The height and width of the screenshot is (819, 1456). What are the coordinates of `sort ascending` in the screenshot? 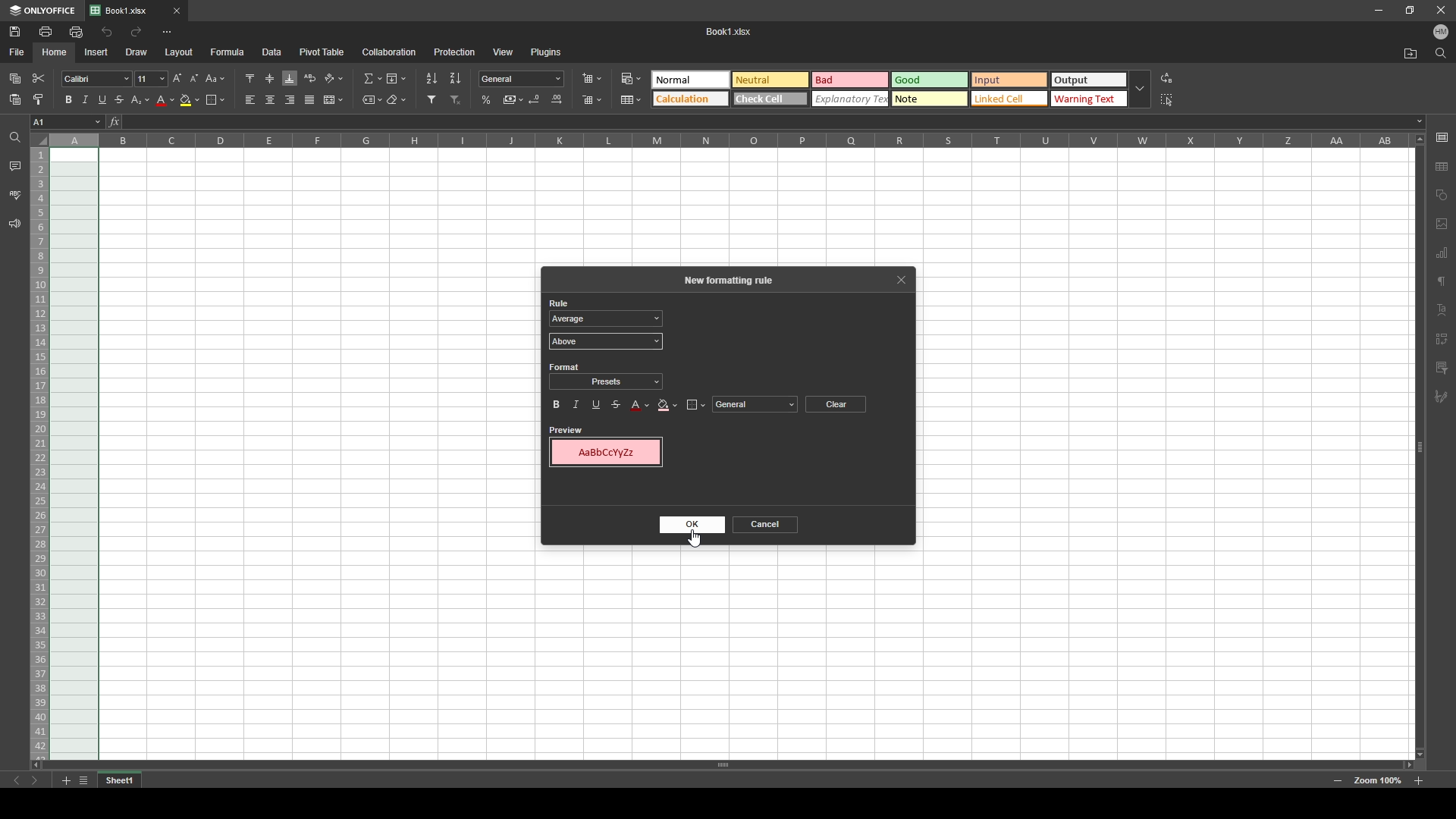 It's located at (431, 78).